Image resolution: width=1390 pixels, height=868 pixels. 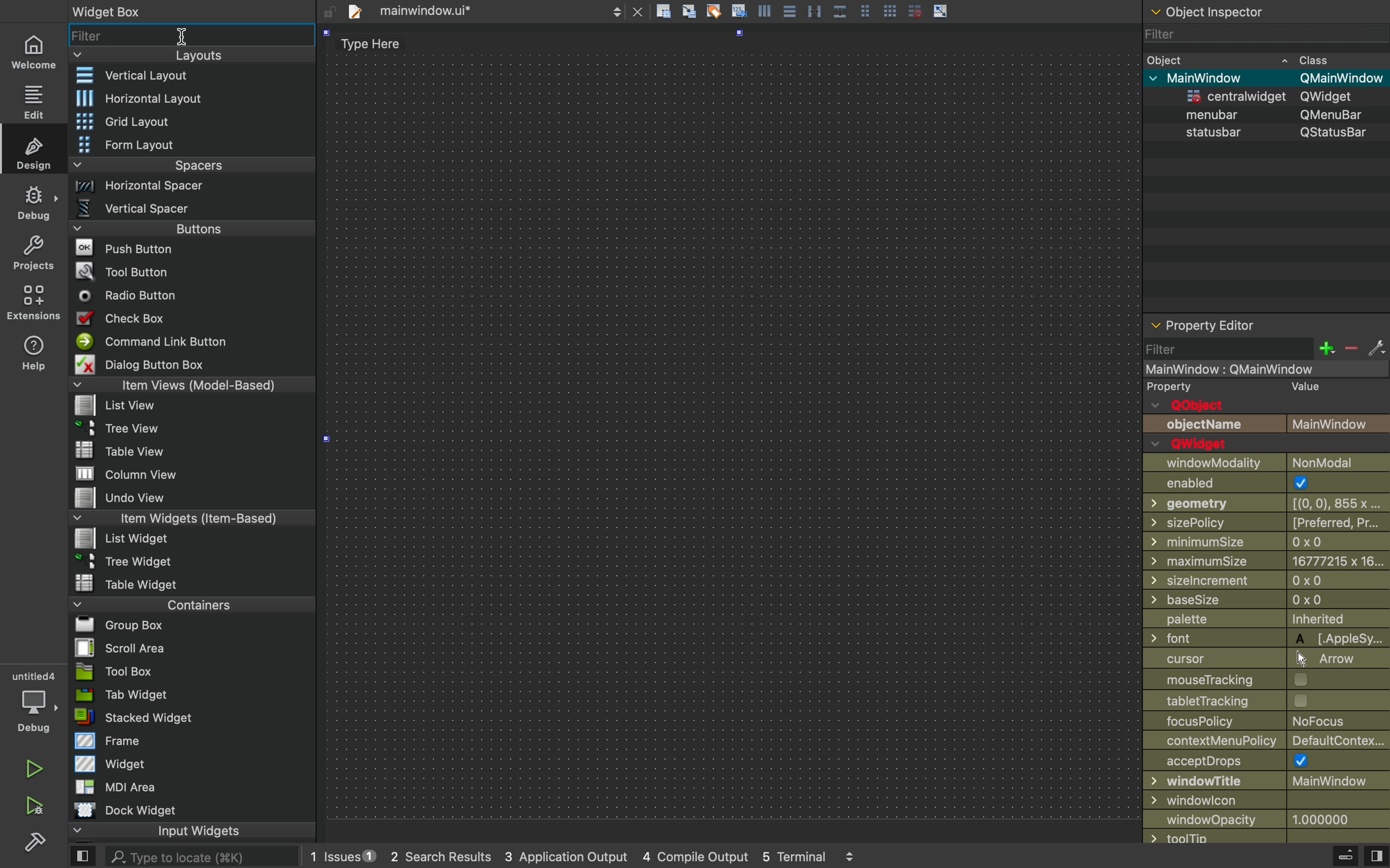 What do you see at coordinates (663, 13) in the screenshot?
I see `file actions` at bounding box center [663, 13].